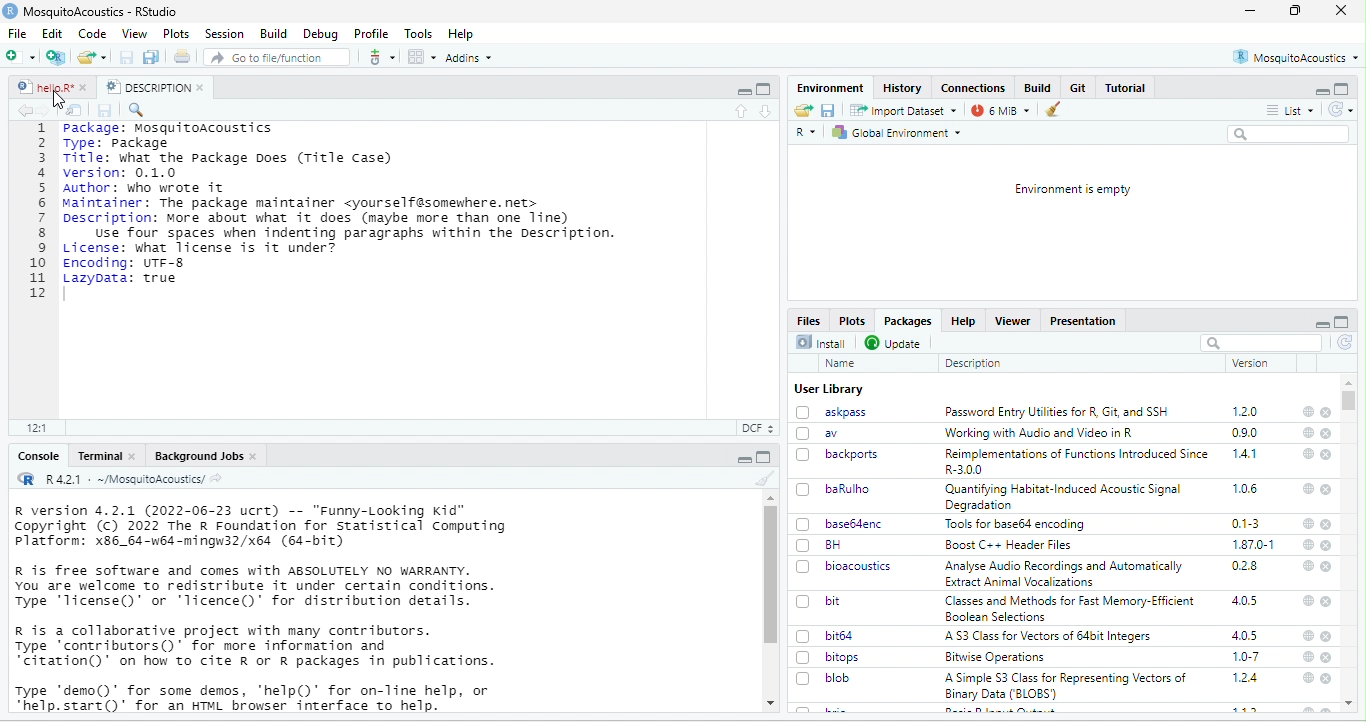 The height and width of the screenshot is (722, 1366). What do you see at coordinates (1351, 704) in the screenshot?
I see `scroll up` at bounding box center [1351, 704].